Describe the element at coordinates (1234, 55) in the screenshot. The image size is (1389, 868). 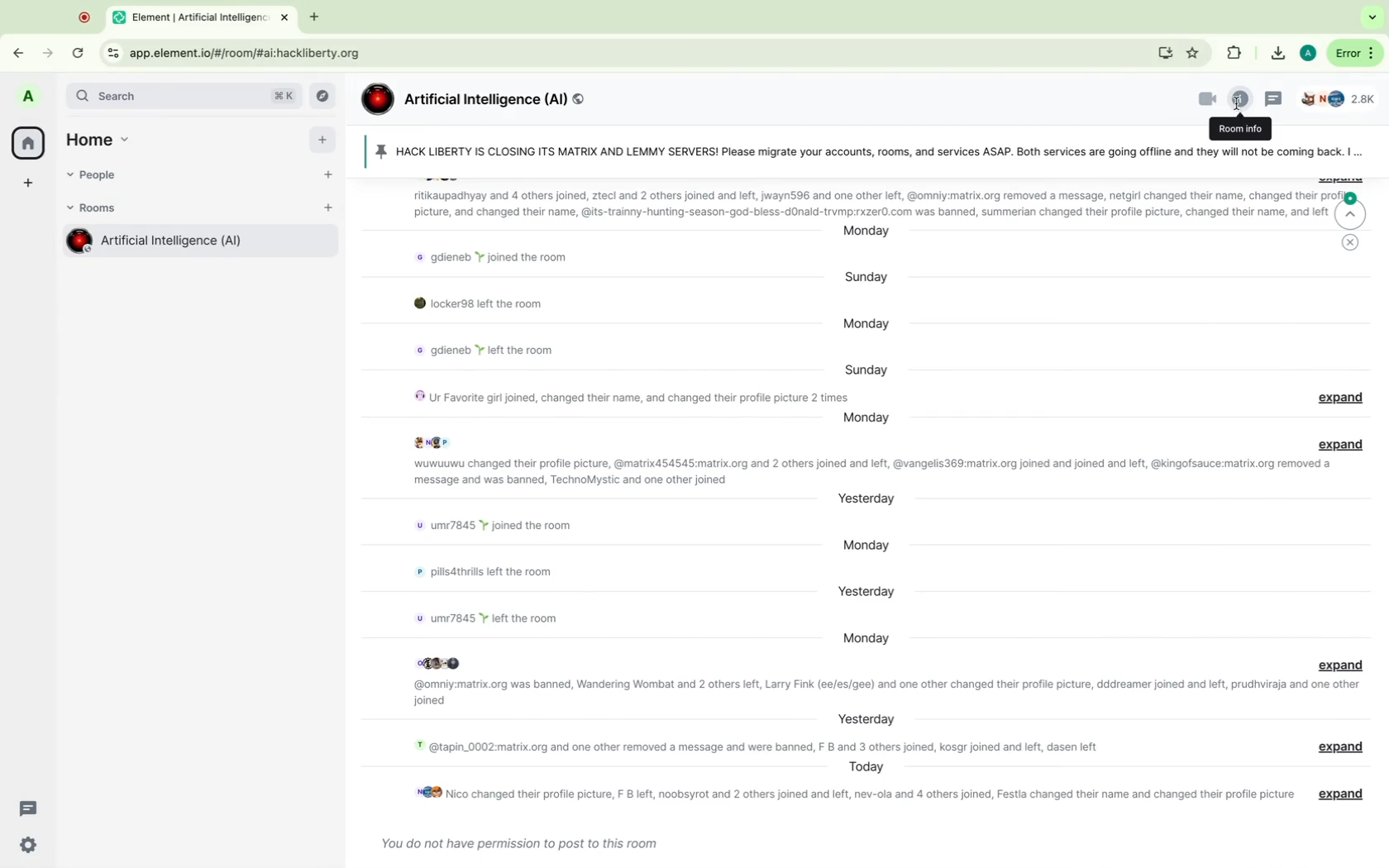
I see `extentions` at that location.